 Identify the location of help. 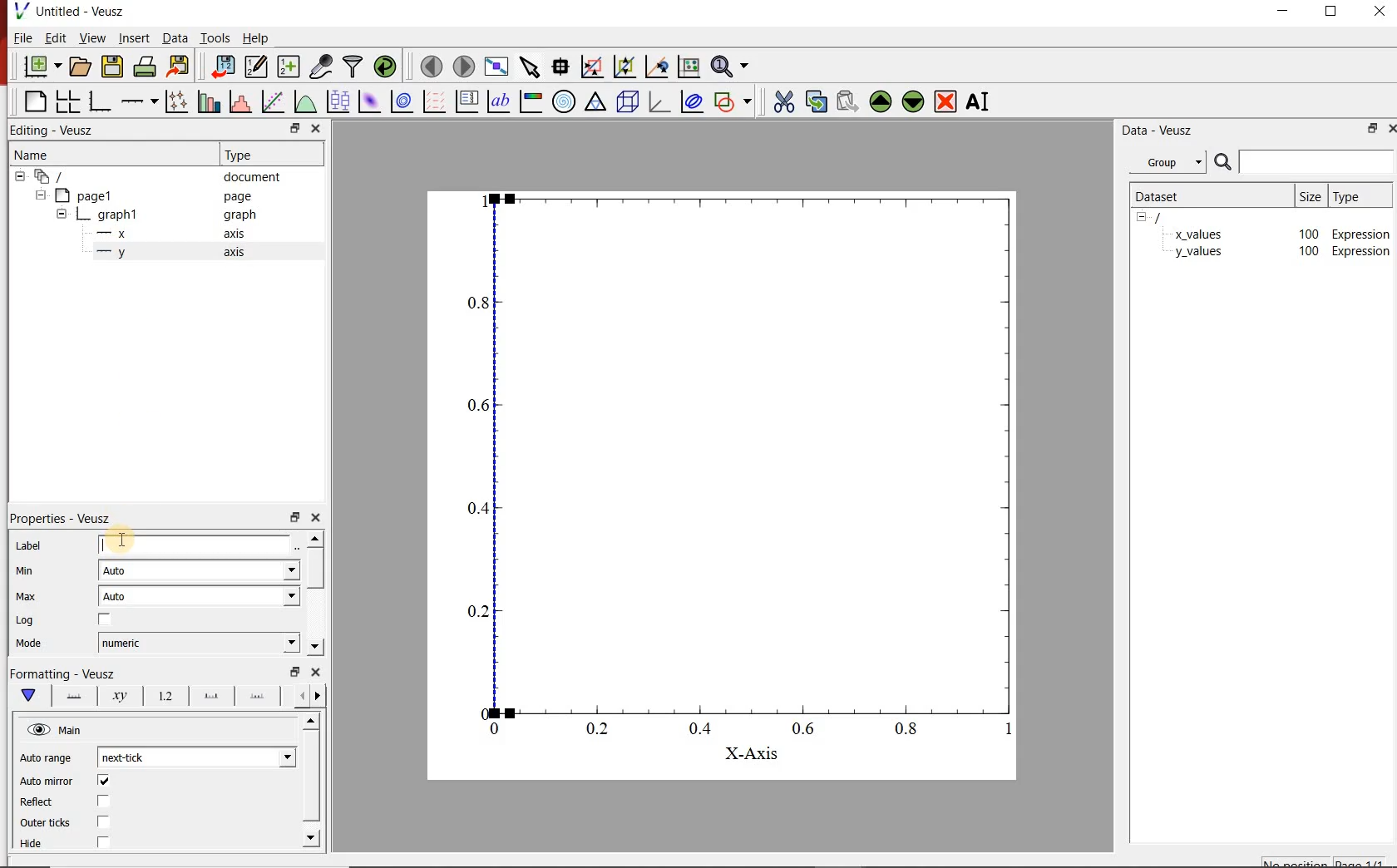
(260, 37).